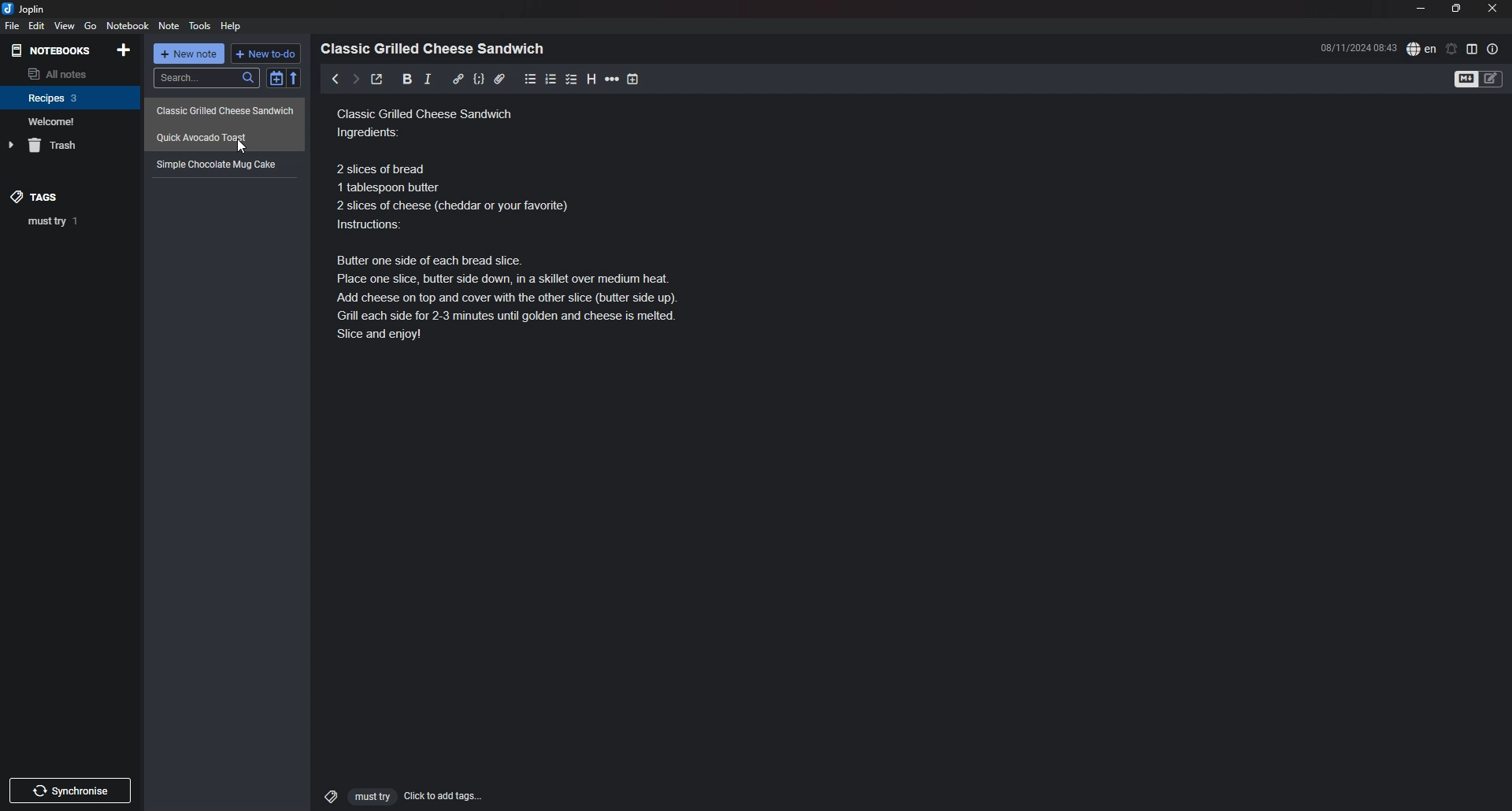 This screenshot has width=1512, height=811. Describe the element at coordinates (572, 79) in the screenshot. I see `checkbox` at that location.